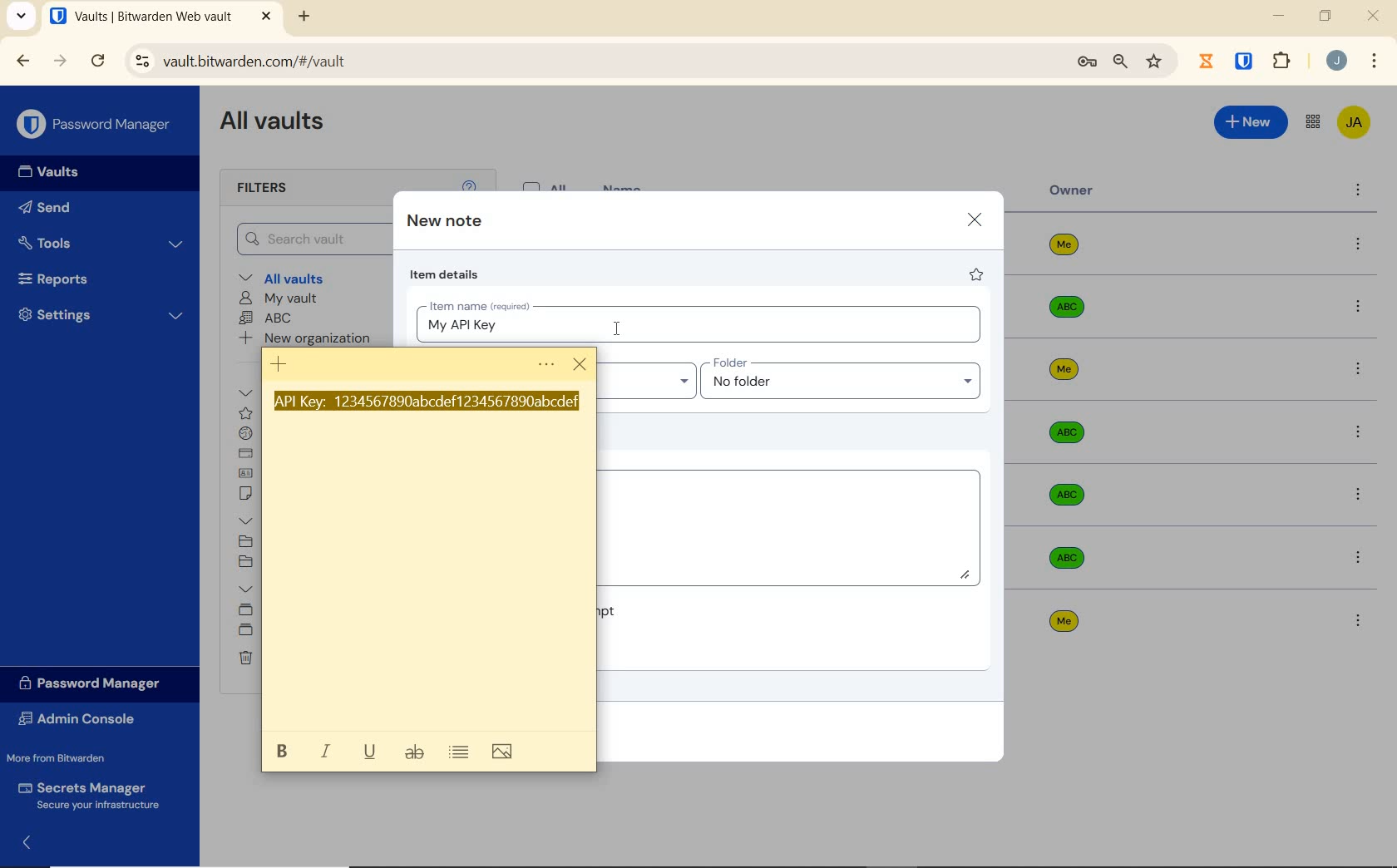  I want to click on more options, so click(1357, 308).